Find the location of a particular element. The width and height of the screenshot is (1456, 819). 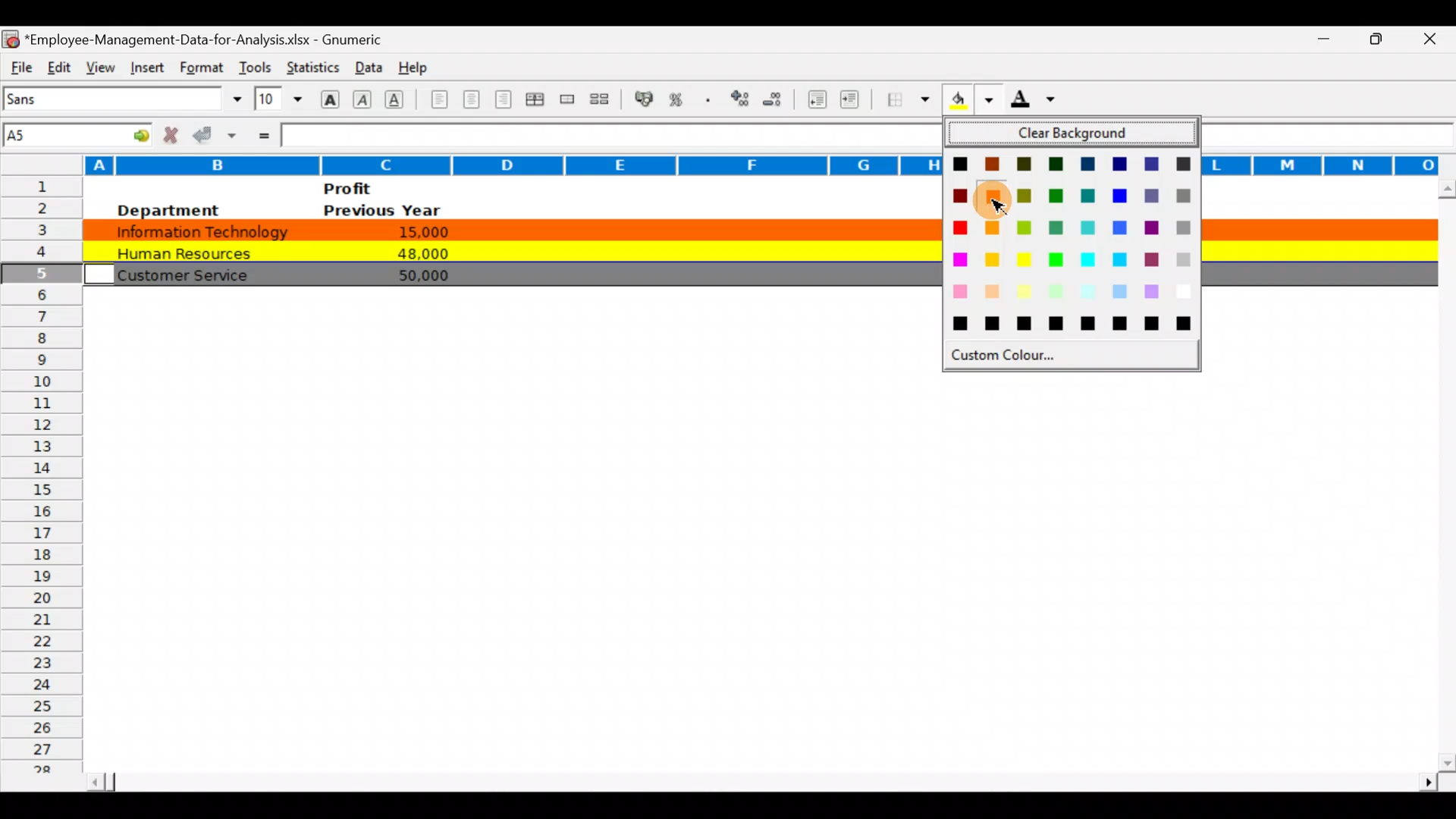

Cells is located at coordinates (747, 557).